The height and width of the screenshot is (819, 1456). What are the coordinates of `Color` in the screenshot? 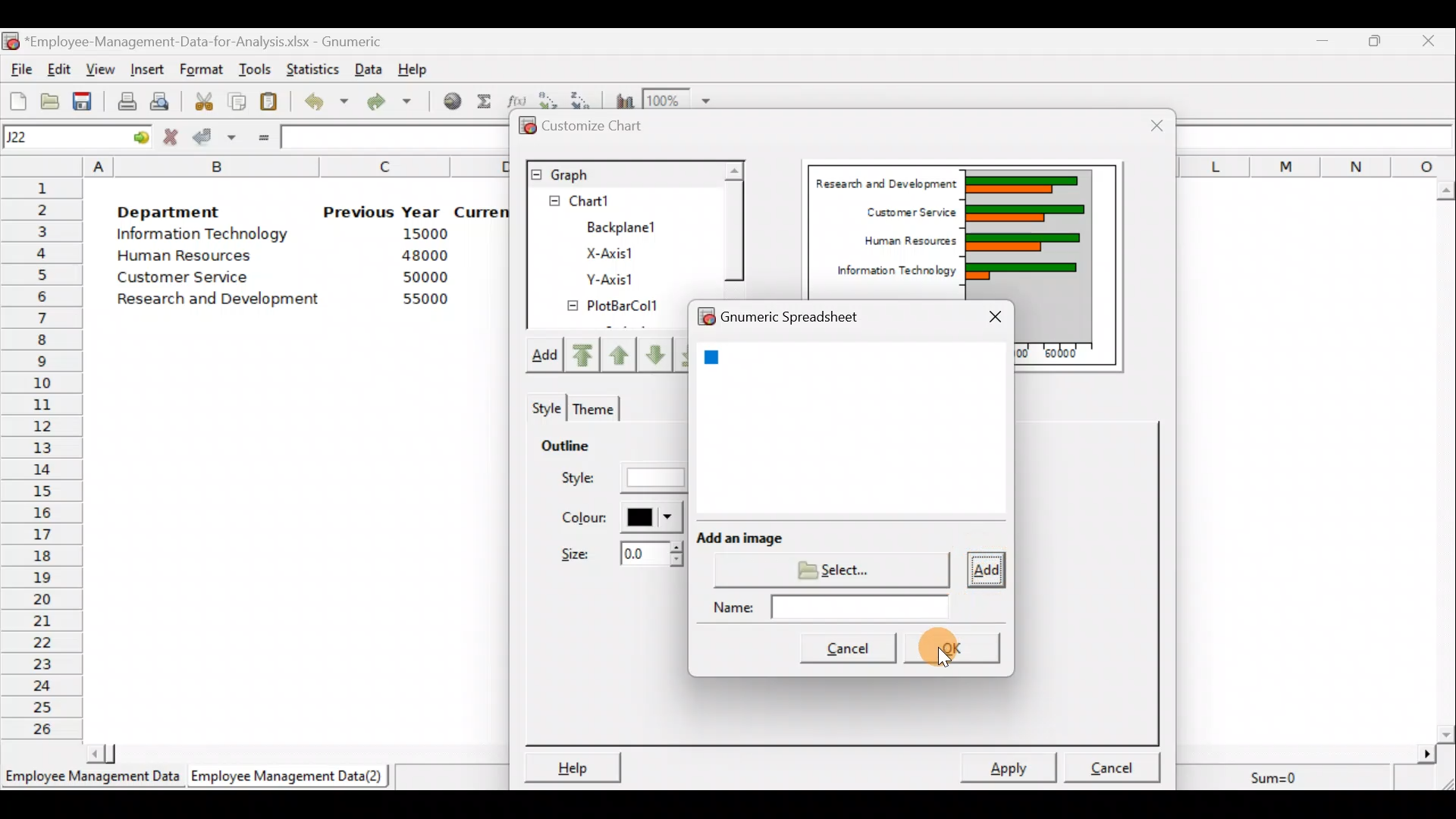 It's located at (623, 518).